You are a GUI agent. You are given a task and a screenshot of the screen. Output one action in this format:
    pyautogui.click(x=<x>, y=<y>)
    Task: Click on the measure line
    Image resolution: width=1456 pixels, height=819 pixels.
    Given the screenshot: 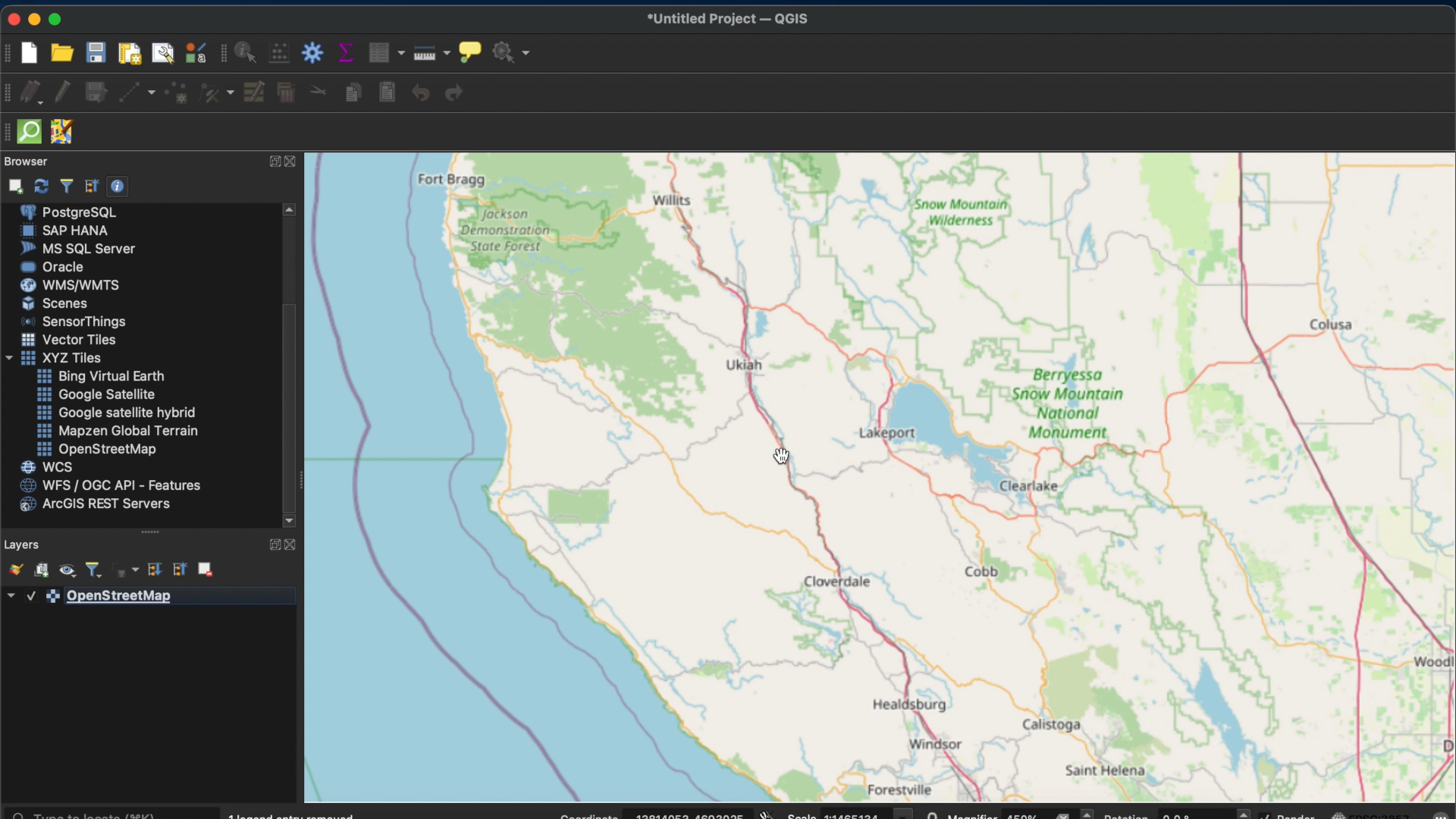 What is the action you would take?
    pyautogui.click(x=428, y=53)
    